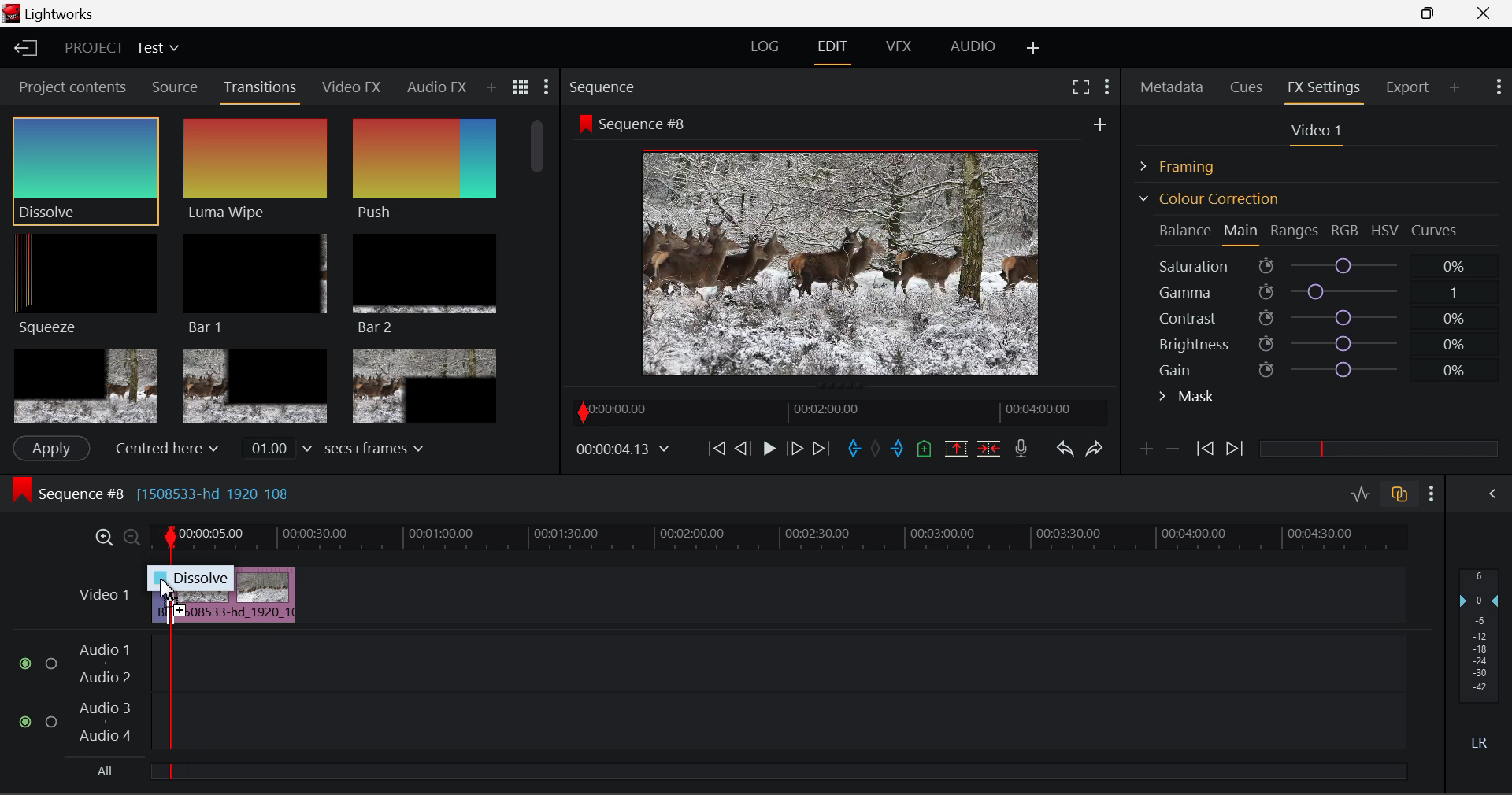 This screenshot has width=1512, height=795. Describe the element at coordinates (1208, 198) in the screenshot. I see `Colour Correction` at that location.